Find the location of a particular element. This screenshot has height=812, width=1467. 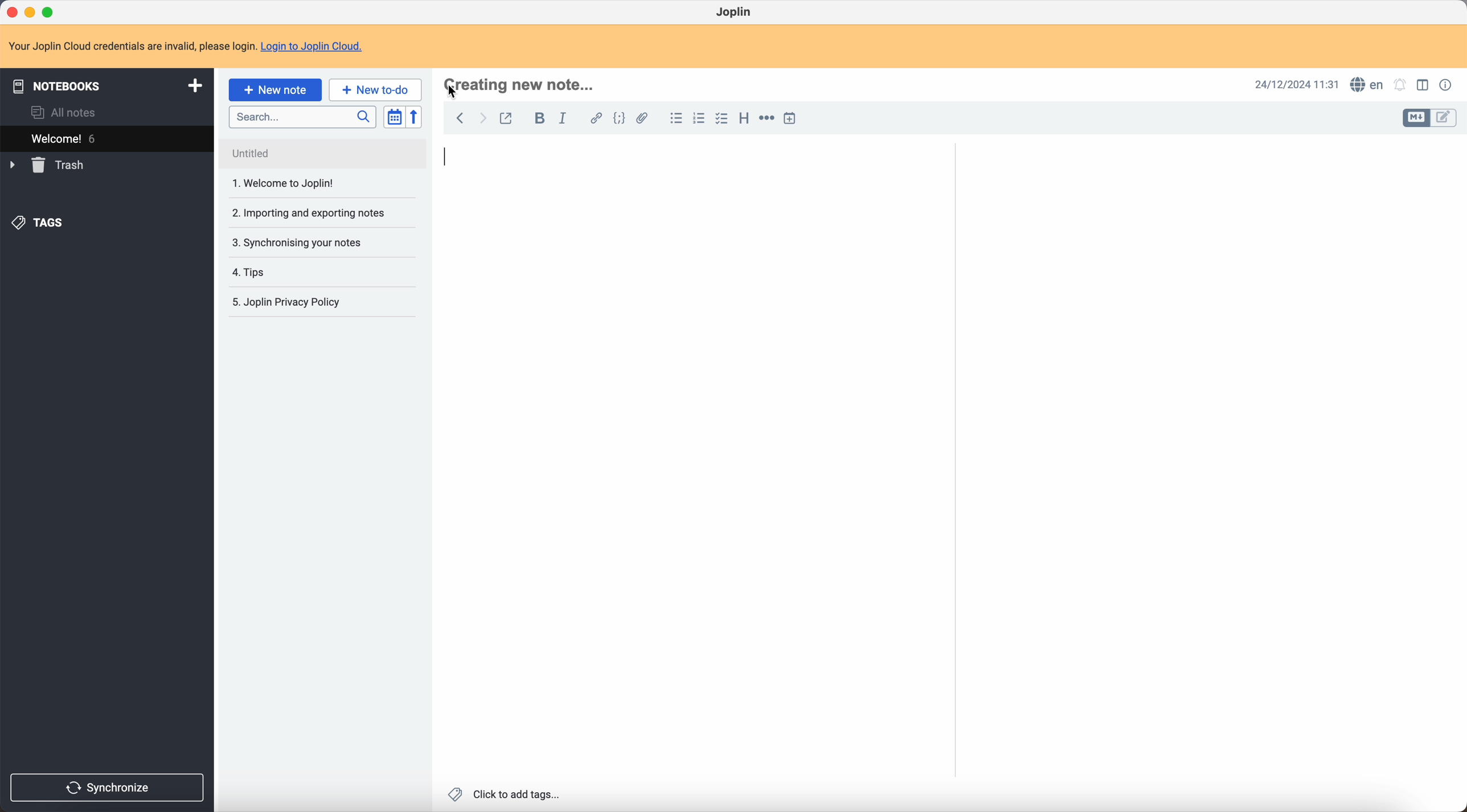

synchronize is located at coordinates (108, 788).